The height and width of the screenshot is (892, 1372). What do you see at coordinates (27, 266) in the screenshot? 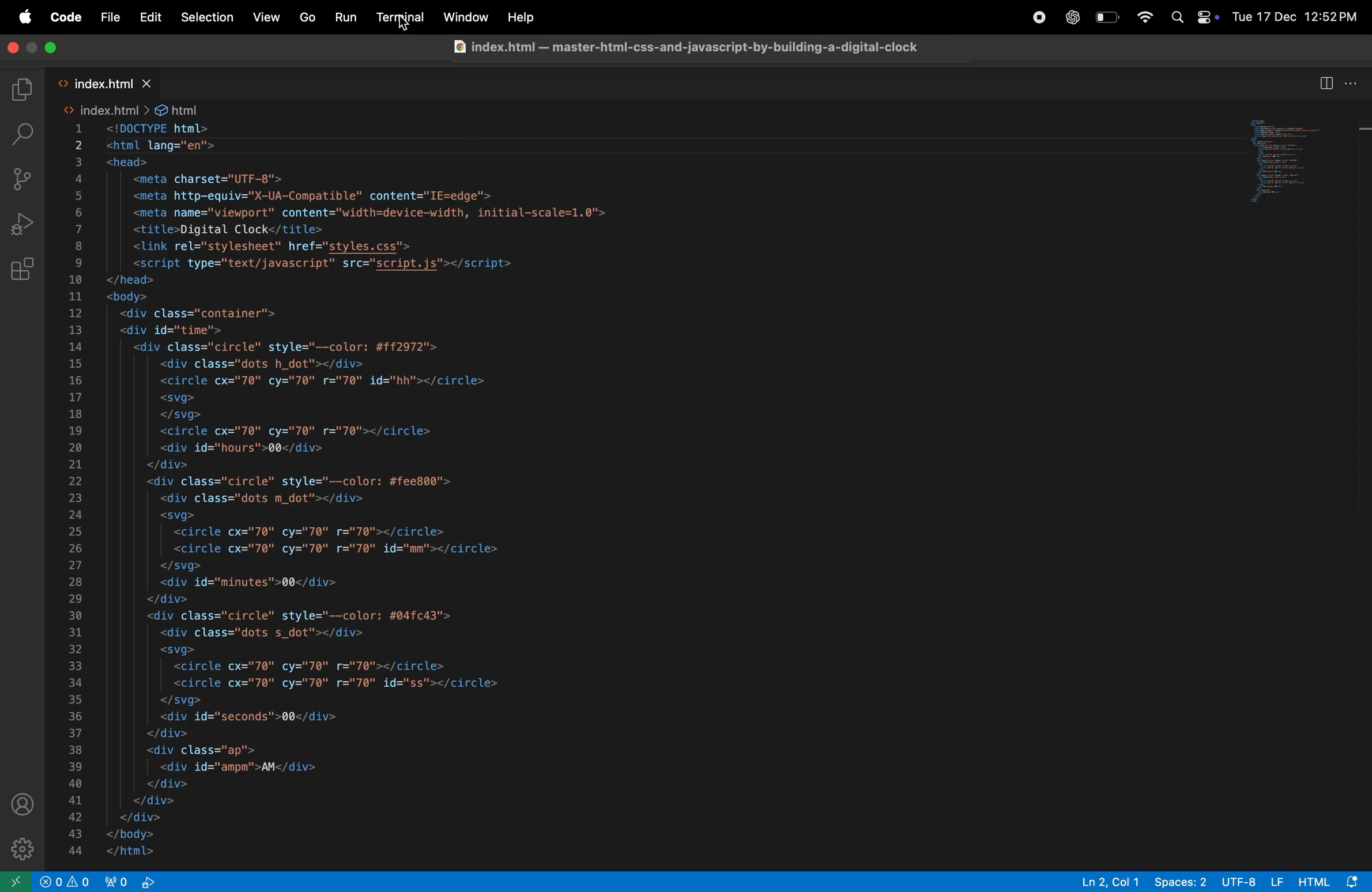
I see `extensions` at bounding box center [27, 266].